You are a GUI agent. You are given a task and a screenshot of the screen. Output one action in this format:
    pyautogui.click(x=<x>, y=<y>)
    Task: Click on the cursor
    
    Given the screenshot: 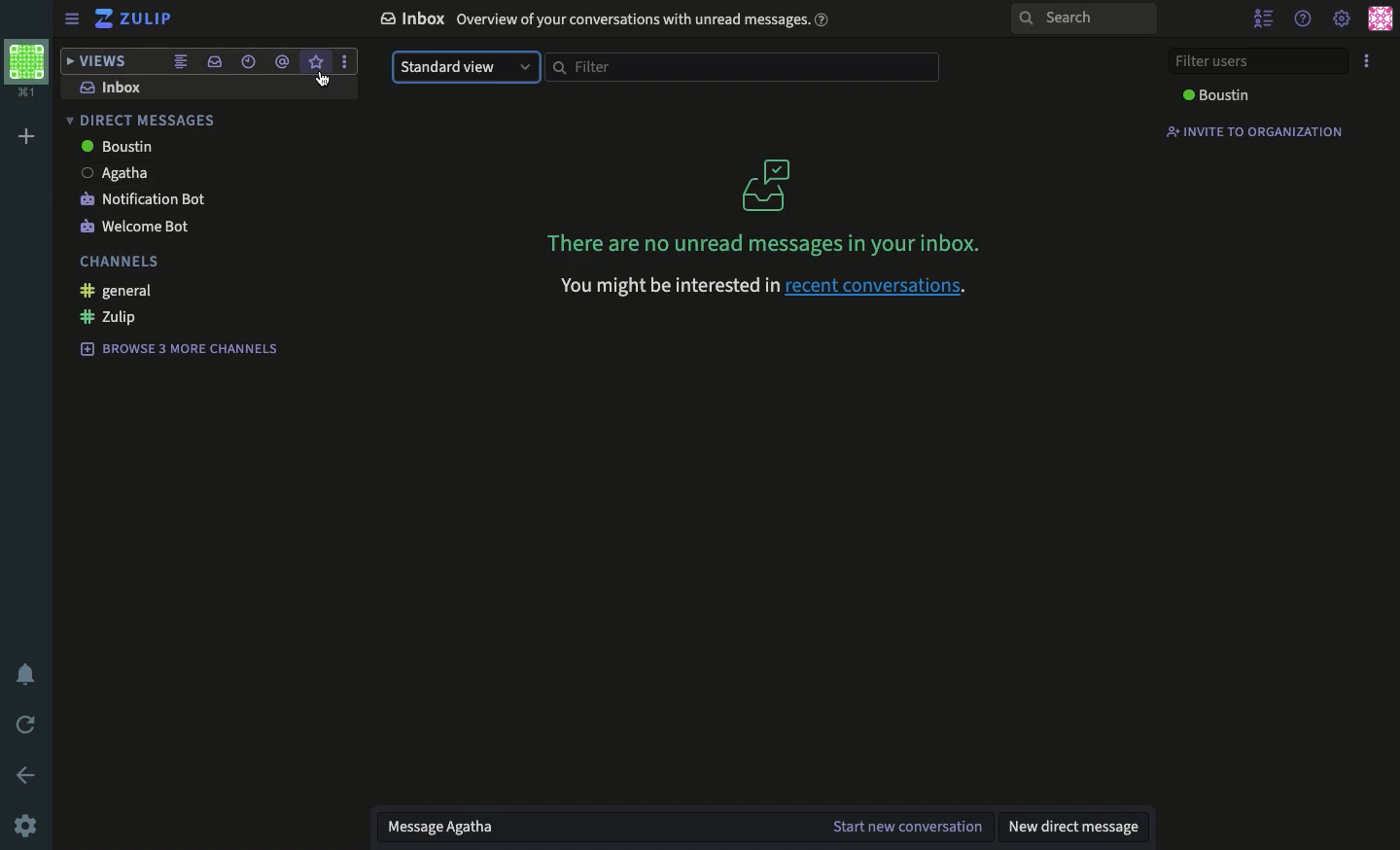 What is the action you would take?
    pyautogui.click(x=321, y=81)
    